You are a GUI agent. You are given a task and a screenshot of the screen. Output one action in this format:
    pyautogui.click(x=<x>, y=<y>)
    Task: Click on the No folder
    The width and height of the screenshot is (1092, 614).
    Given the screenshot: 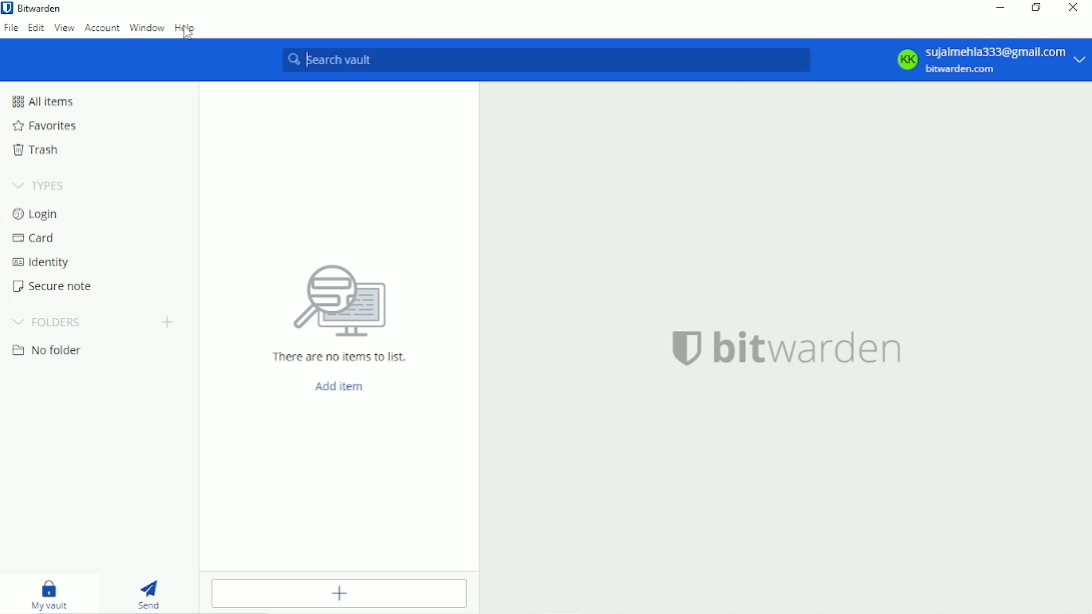 What is the action you would take?
    pyautogui.click(x=49, y=350)
    